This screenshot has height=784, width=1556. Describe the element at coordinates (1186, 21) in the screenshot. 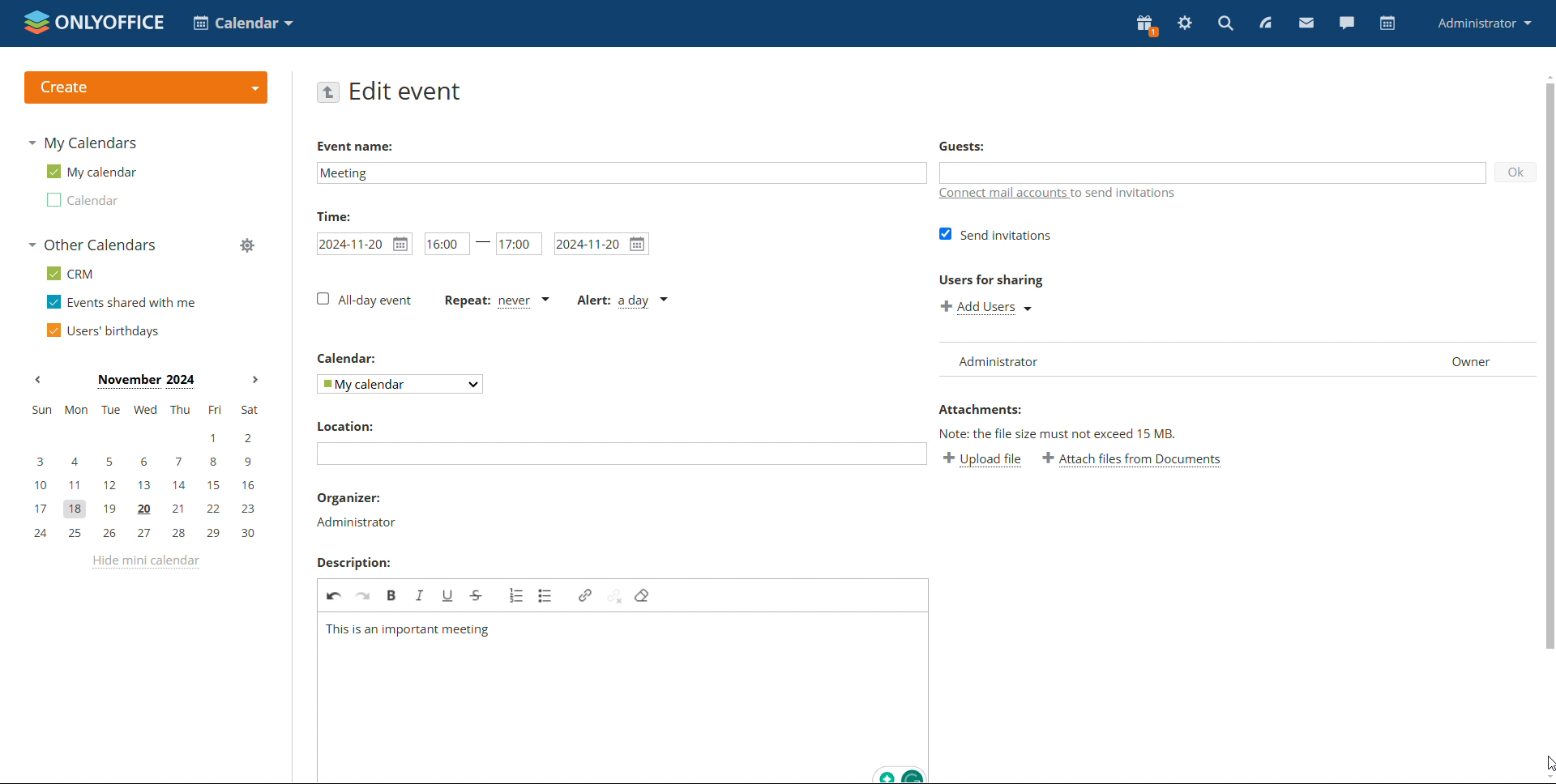

I see `settings` at that location.